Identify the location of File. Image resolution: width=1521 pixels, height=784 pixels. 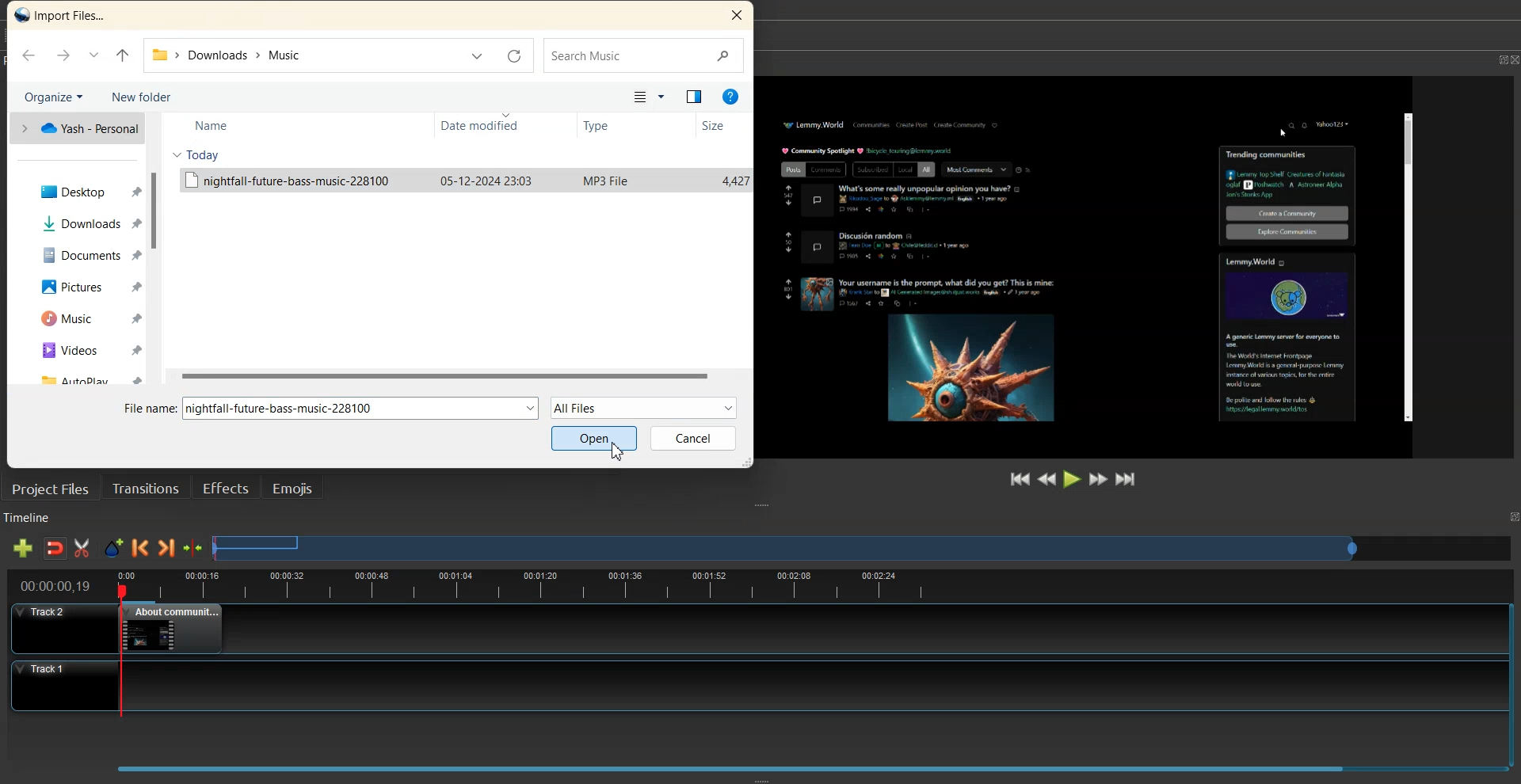
(463, 181).